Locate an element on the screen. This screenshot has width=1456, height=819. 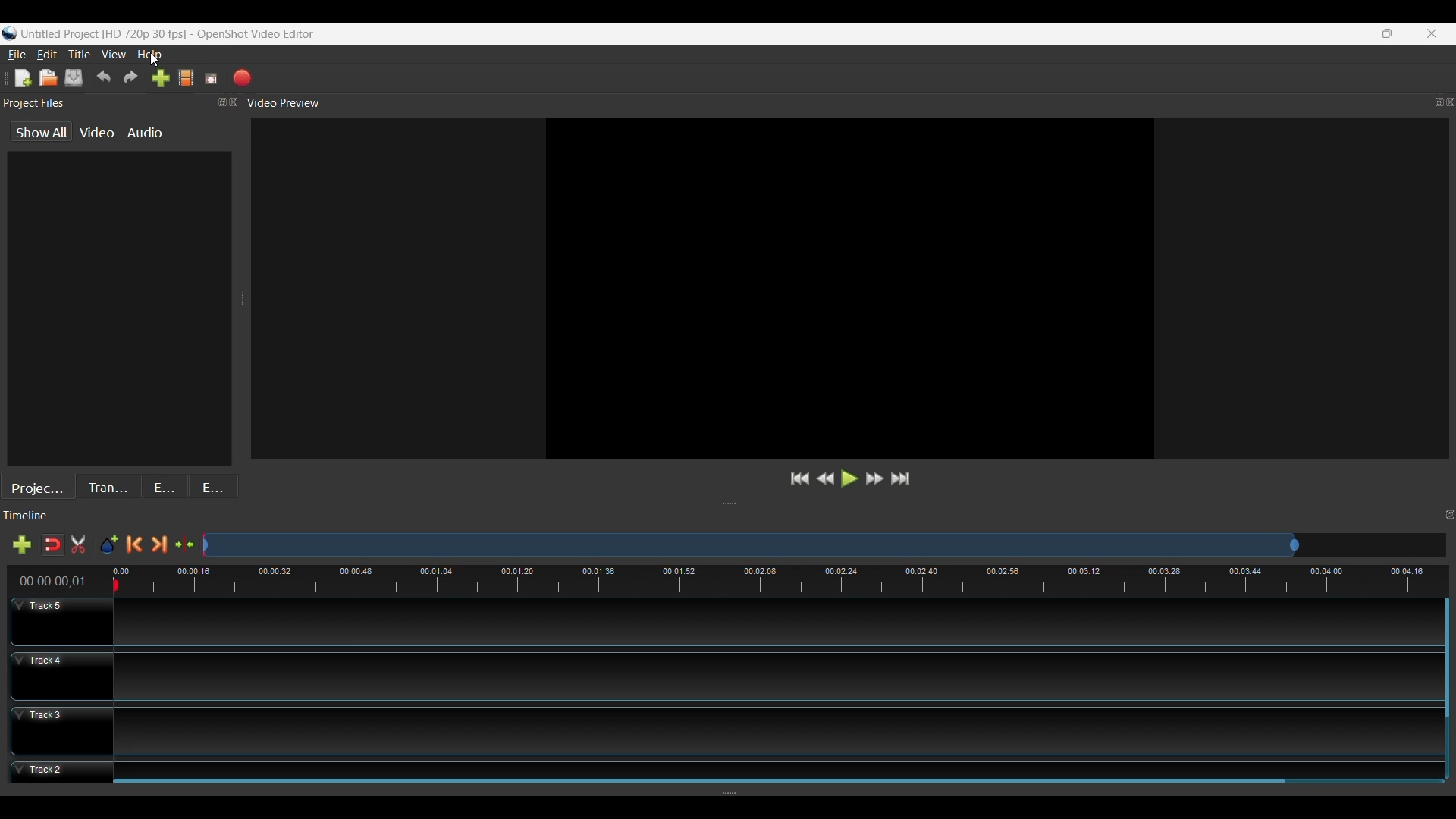
Project Files Panel is located at coordinates (121, 103).